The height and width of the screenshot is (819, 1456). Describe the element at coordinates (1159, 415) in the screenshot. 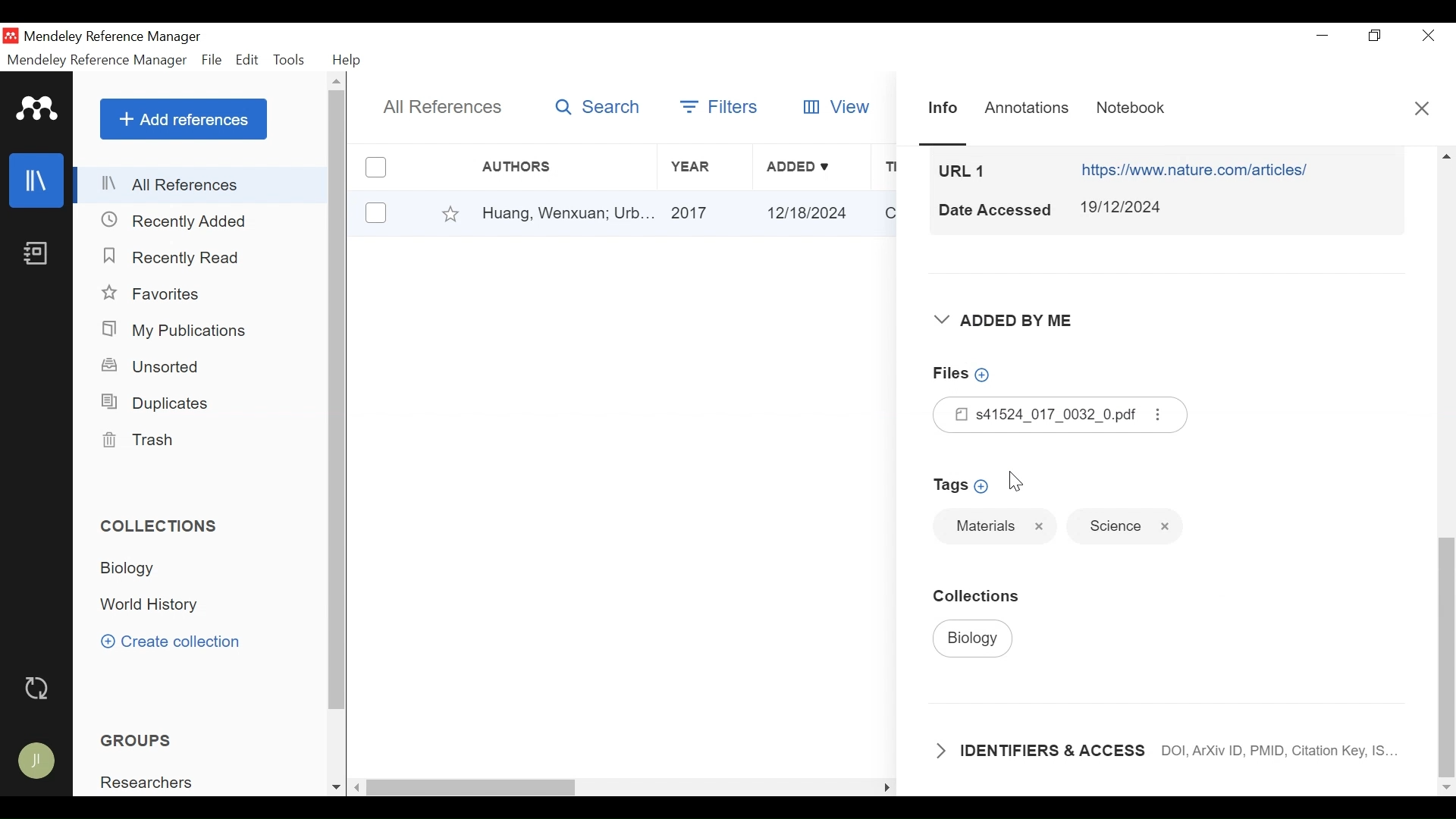

I see `more` at that location.